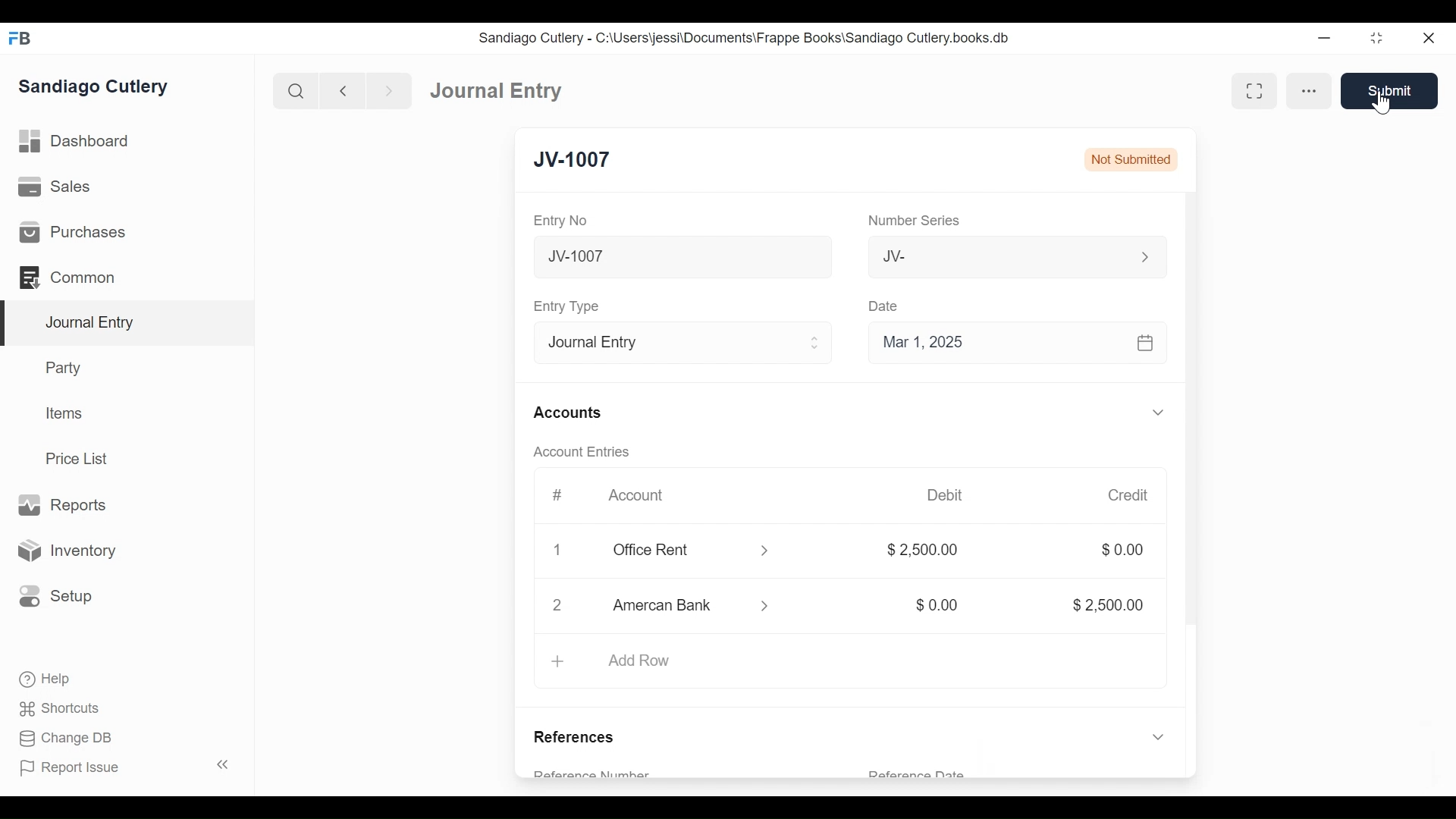 The width and height of the screenshot is (1456, 819). What do you see at coordinates (678, 256) in the screenshot?
I see `New Journal Entry 01` at bounding box center [678, 256].